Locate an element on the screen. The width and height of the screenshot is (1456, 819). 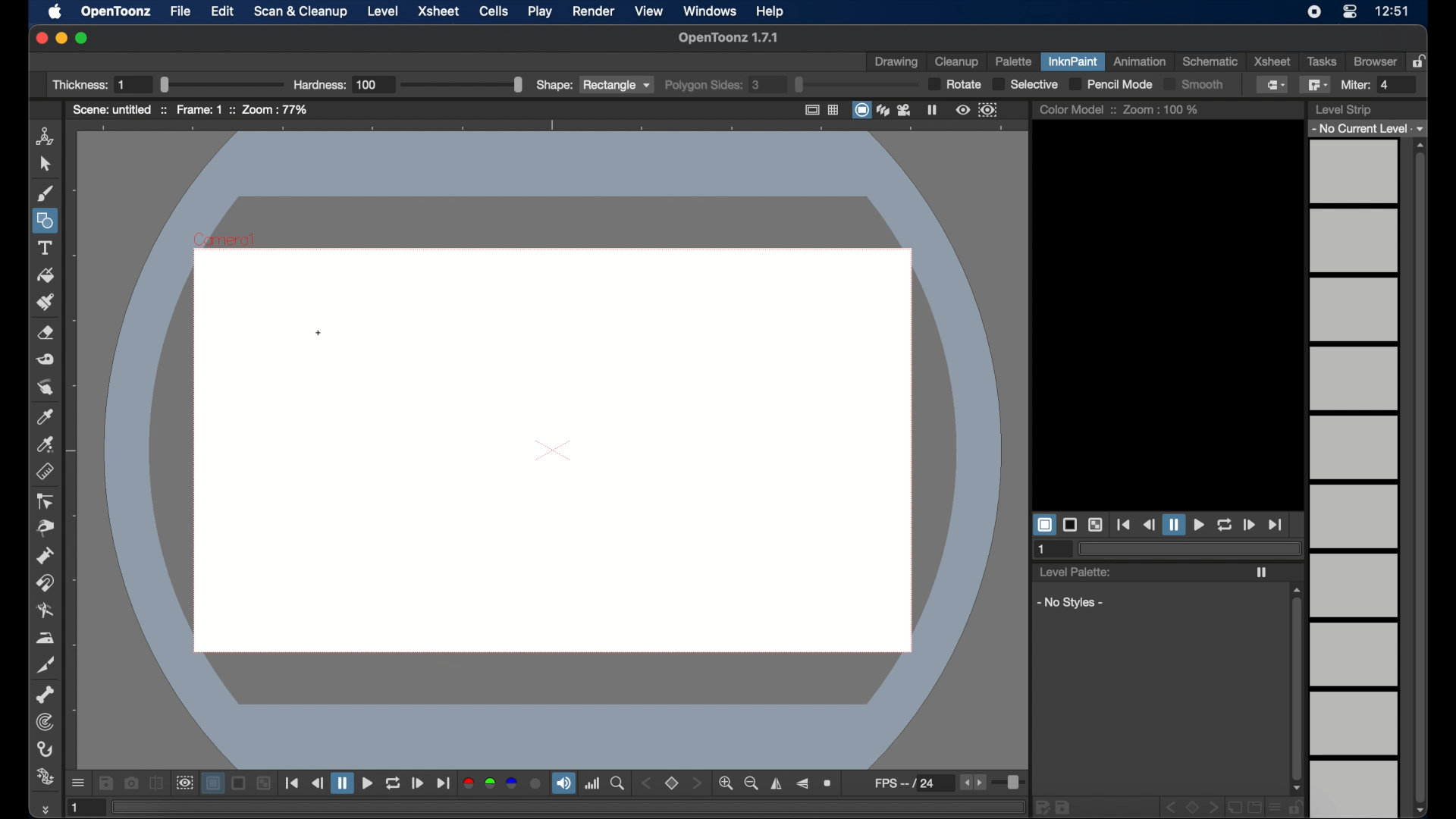
Miter is located at coordinates (1375, 85).